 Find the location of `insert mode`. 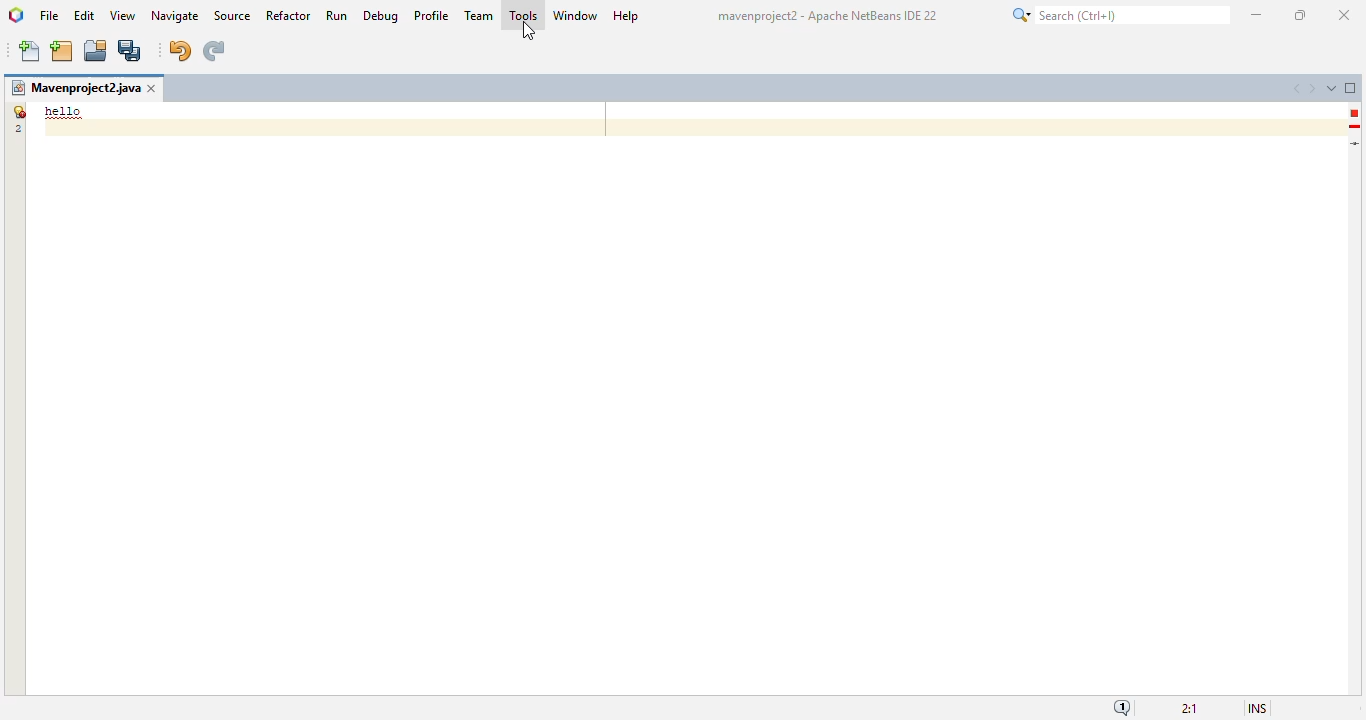

insert mode is located at coordinates (1257, 709).